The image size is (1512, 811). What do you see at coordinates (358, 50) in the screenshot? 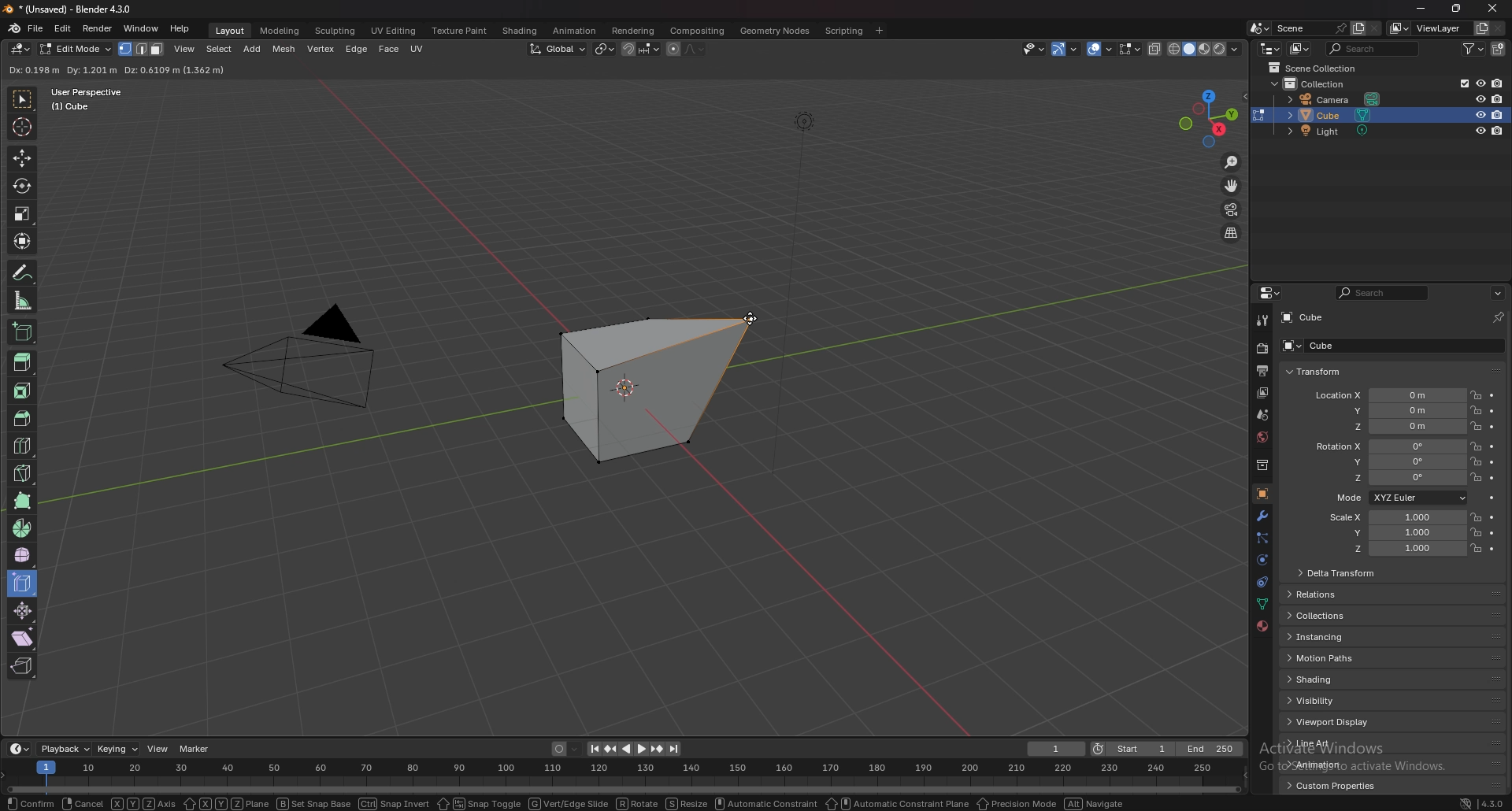
I see `edge` at bounding box center [358, 50].